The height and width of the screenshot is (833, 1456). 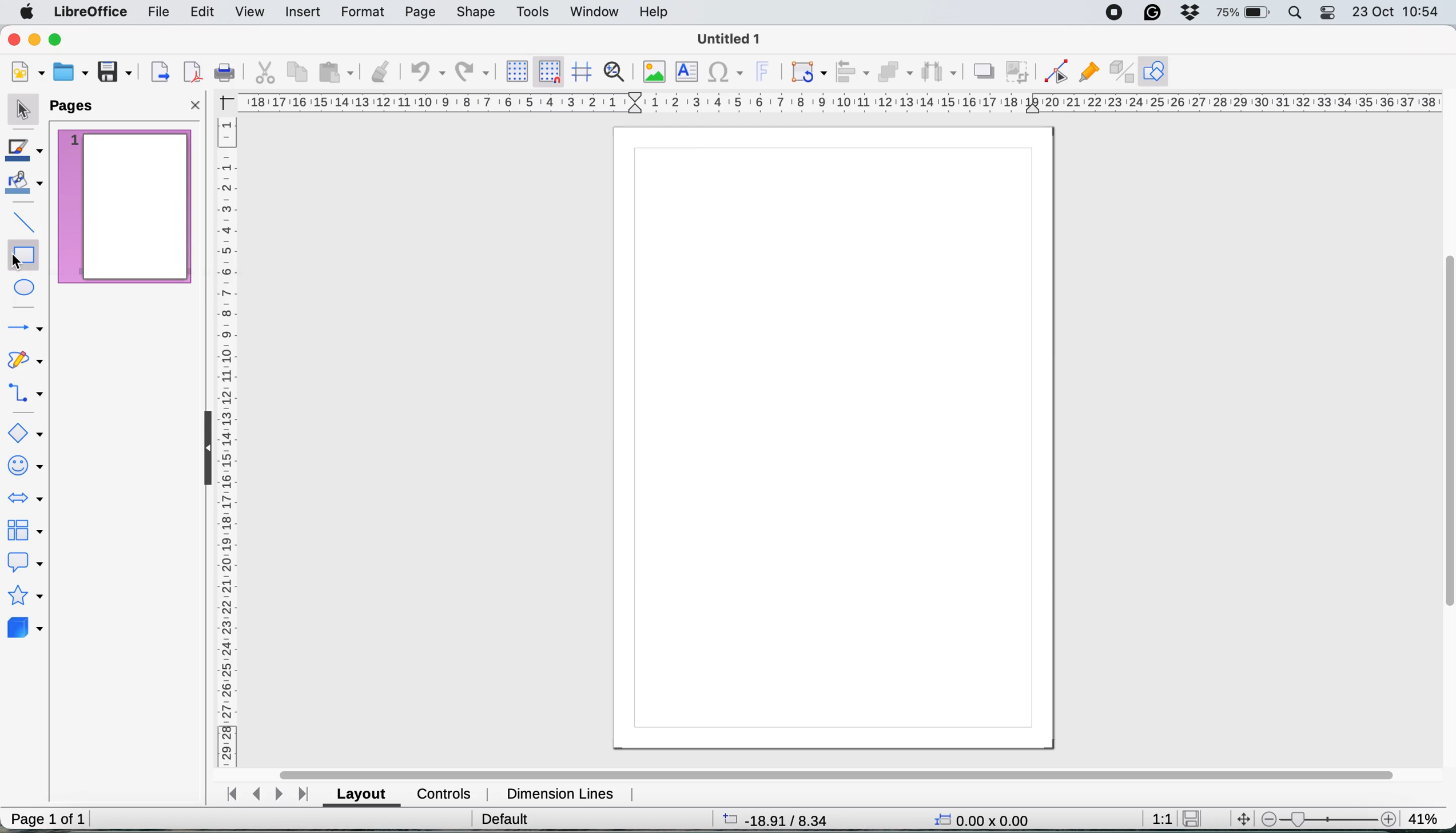 I want to click on arrange, so click(x=898, y=73).